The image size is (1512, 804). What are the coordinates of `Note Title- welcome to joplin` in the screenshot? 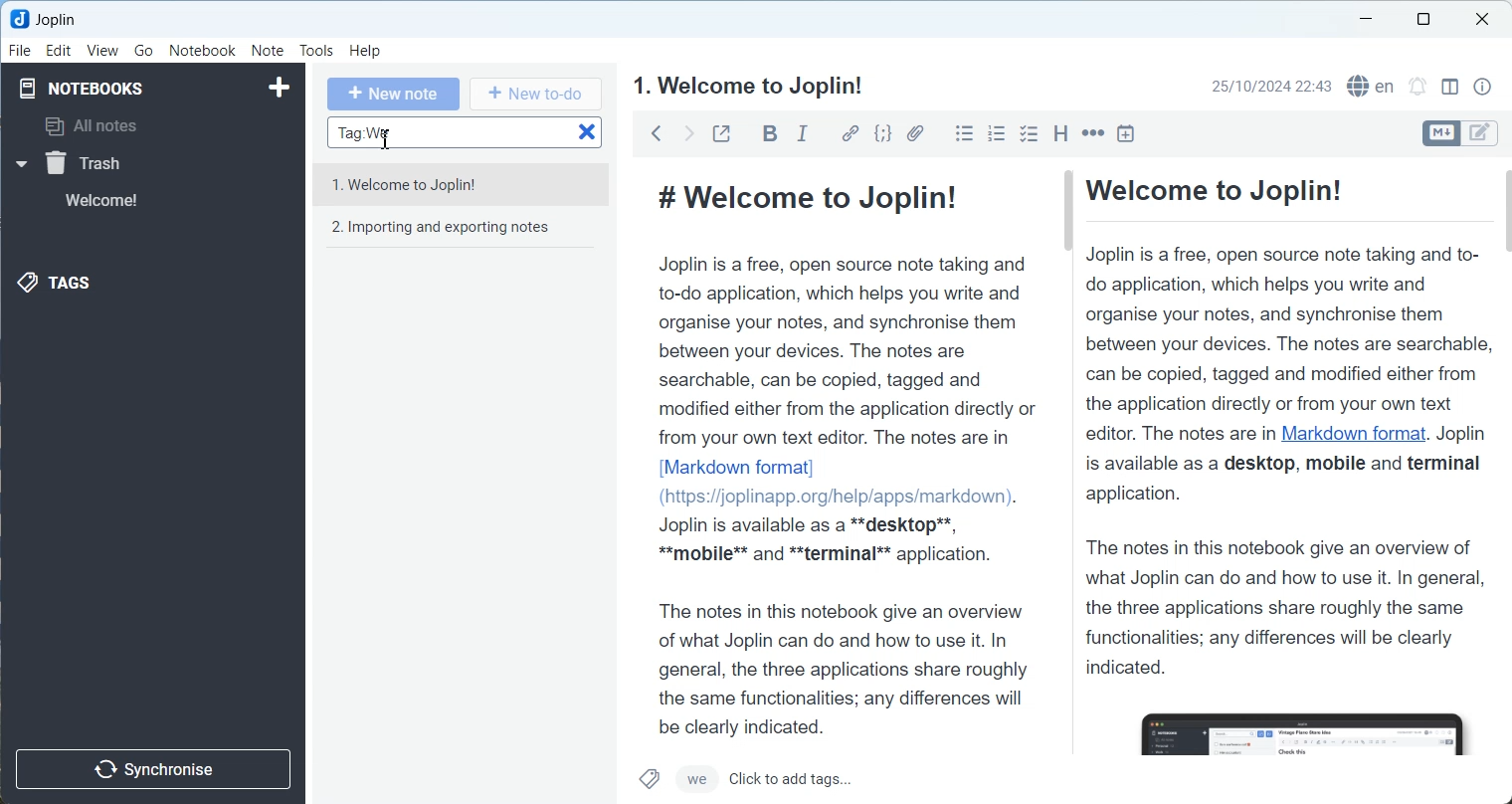 It's located at (749, 86).